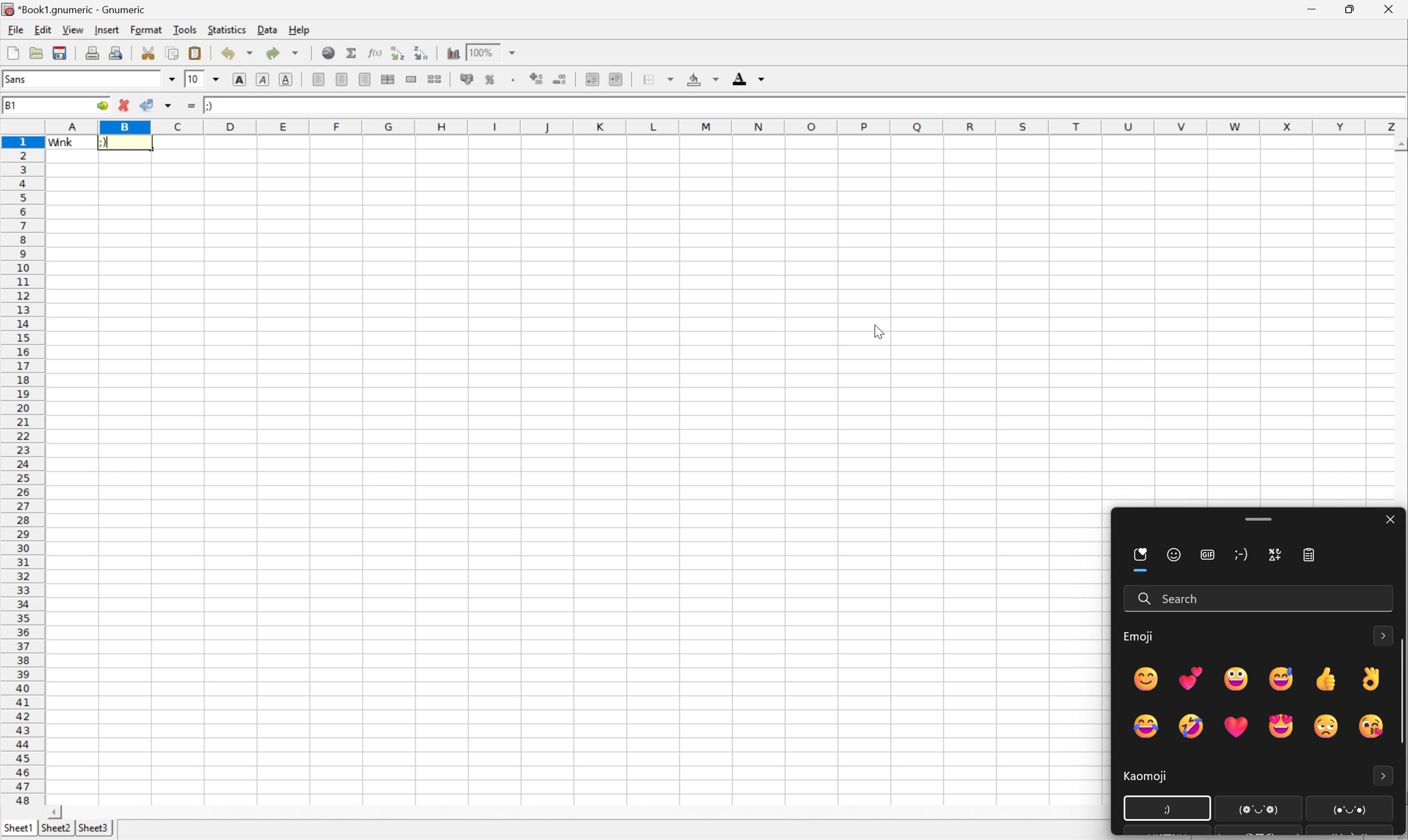  What do you see at coordinates (74, 9) in the screenshot?
I see `*book1.gnumeric - Gnumeric` at bounding box center [74, 9].